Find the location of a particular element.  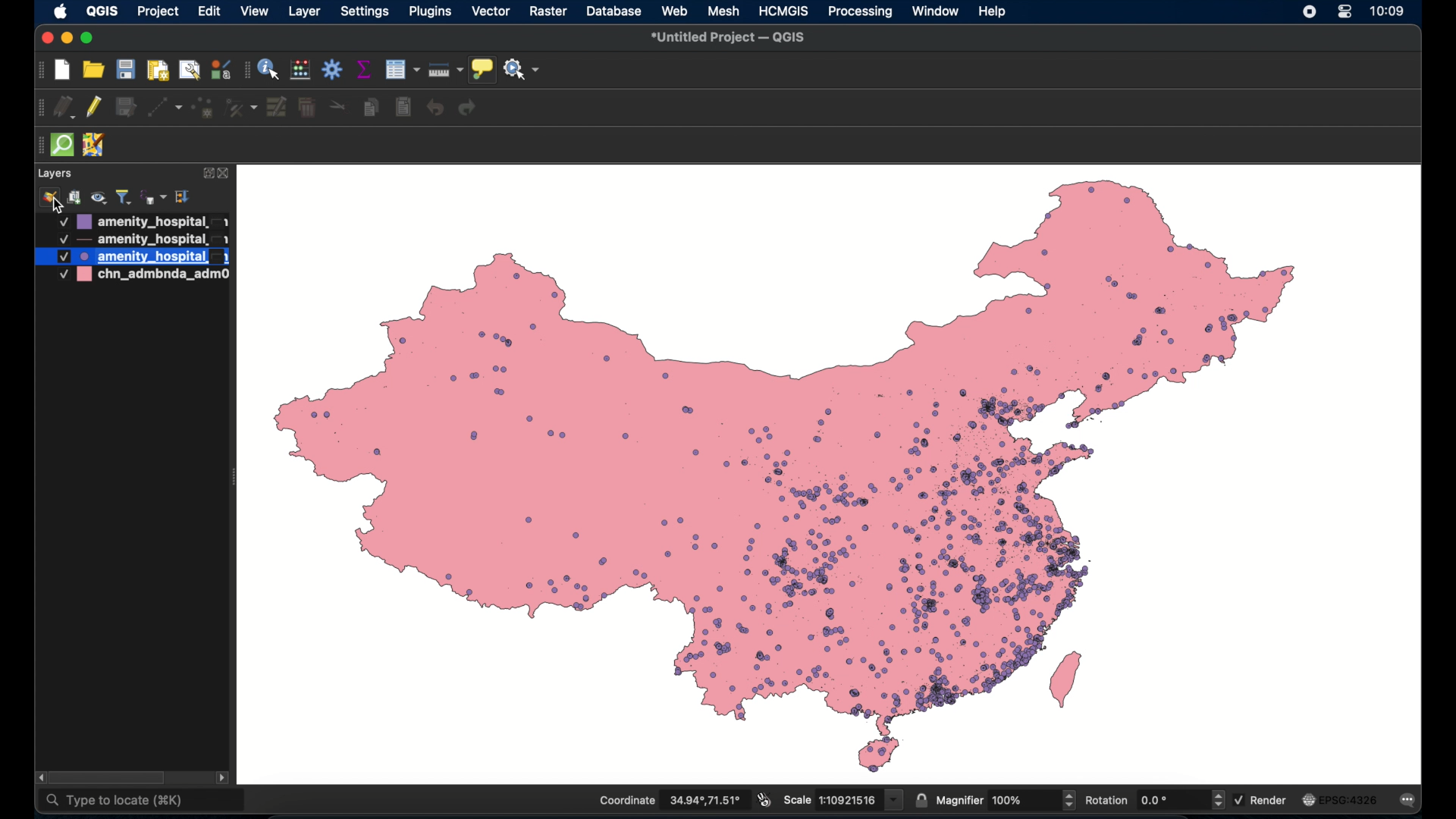

type to locate is located at coordinates (143, 800).